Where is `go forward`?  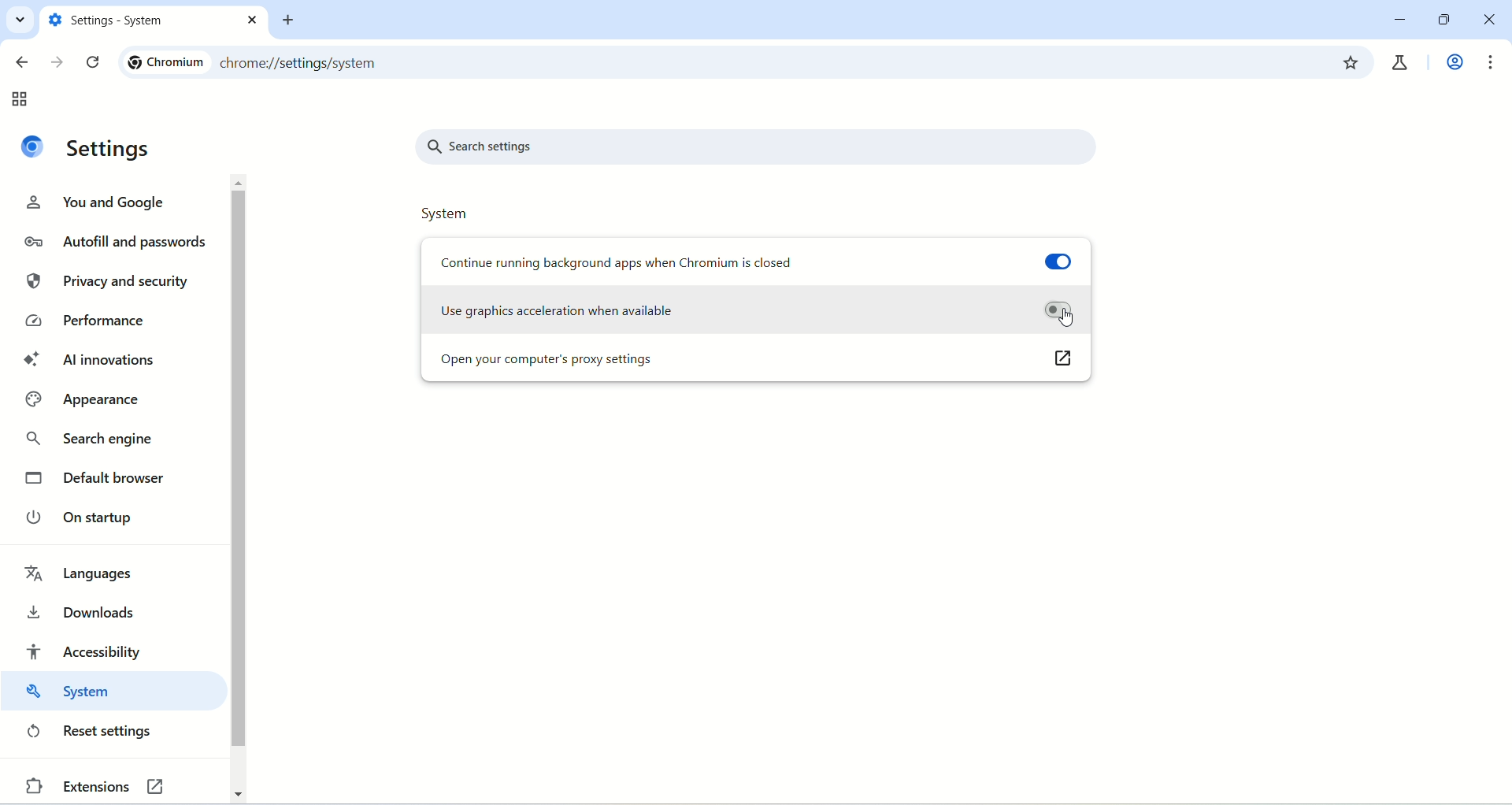 go forward is located at coordinates (56, 60).